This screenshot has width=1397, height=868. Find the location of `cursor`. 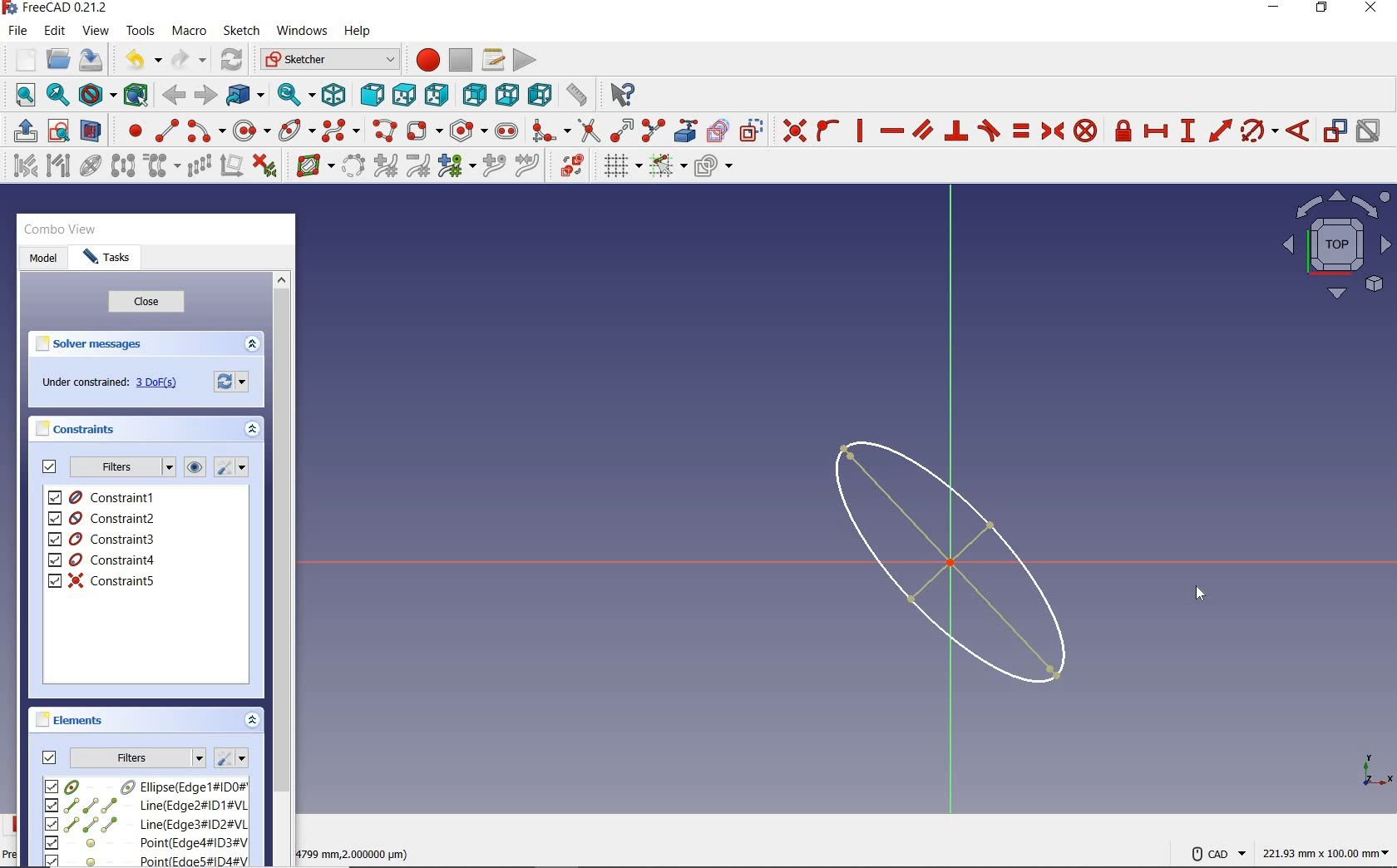

cursor is located at coordinates (1200, 593).